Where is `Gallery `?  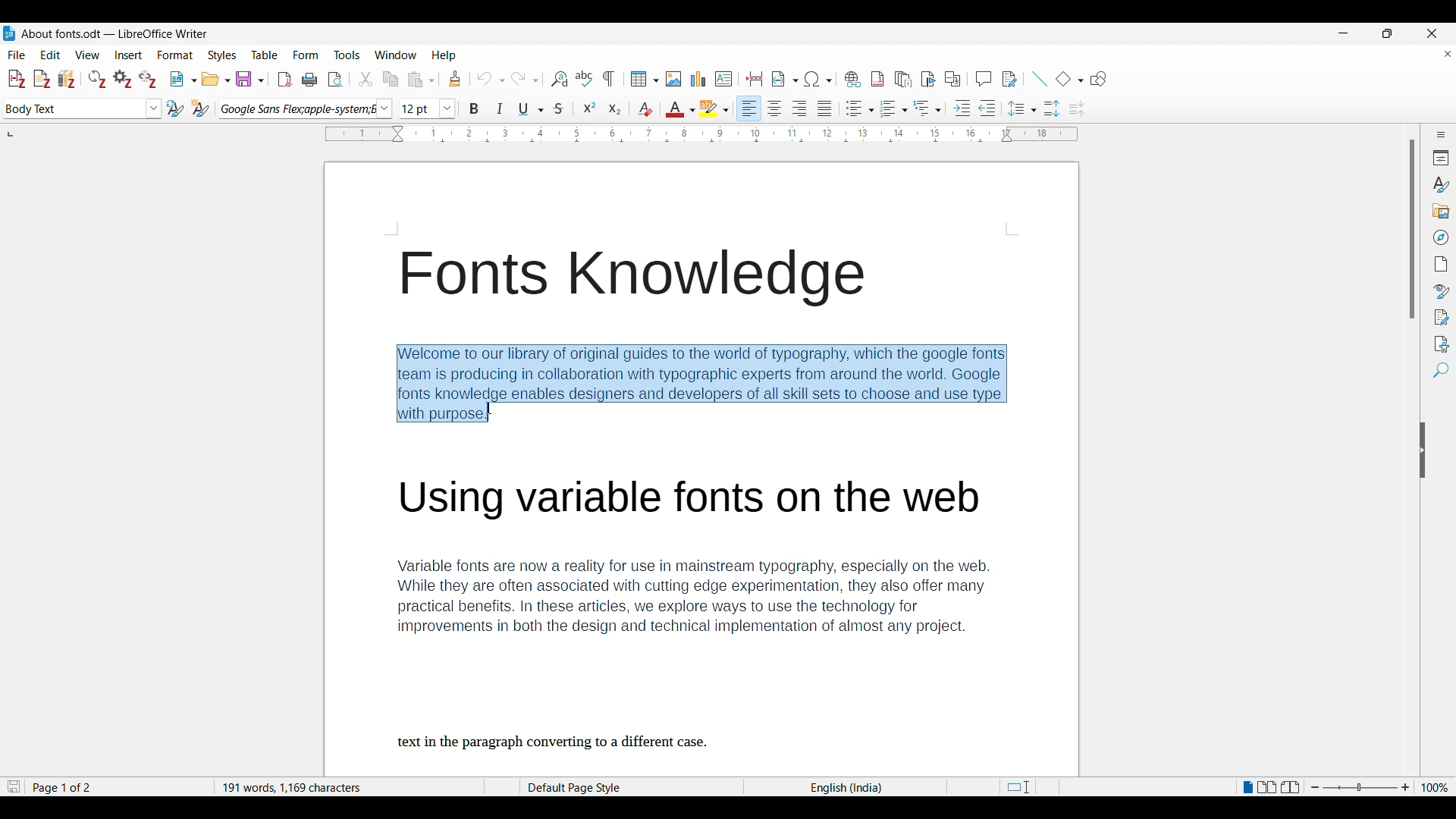 Gallery  is located at coordinates (1442, 211).